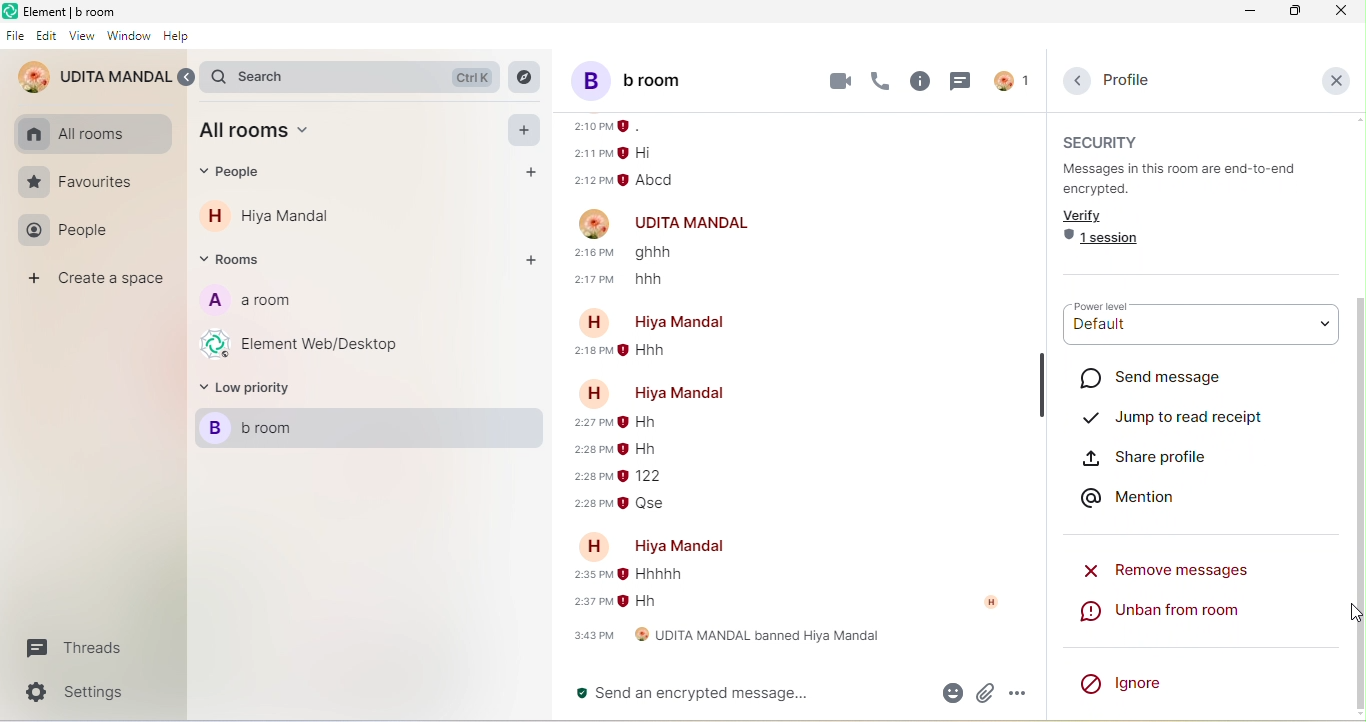 The image size is (1366, 722). What do you see at coordinates (263, 134) in the screenshot?
I see `all room` at bounding box center [263, 134].